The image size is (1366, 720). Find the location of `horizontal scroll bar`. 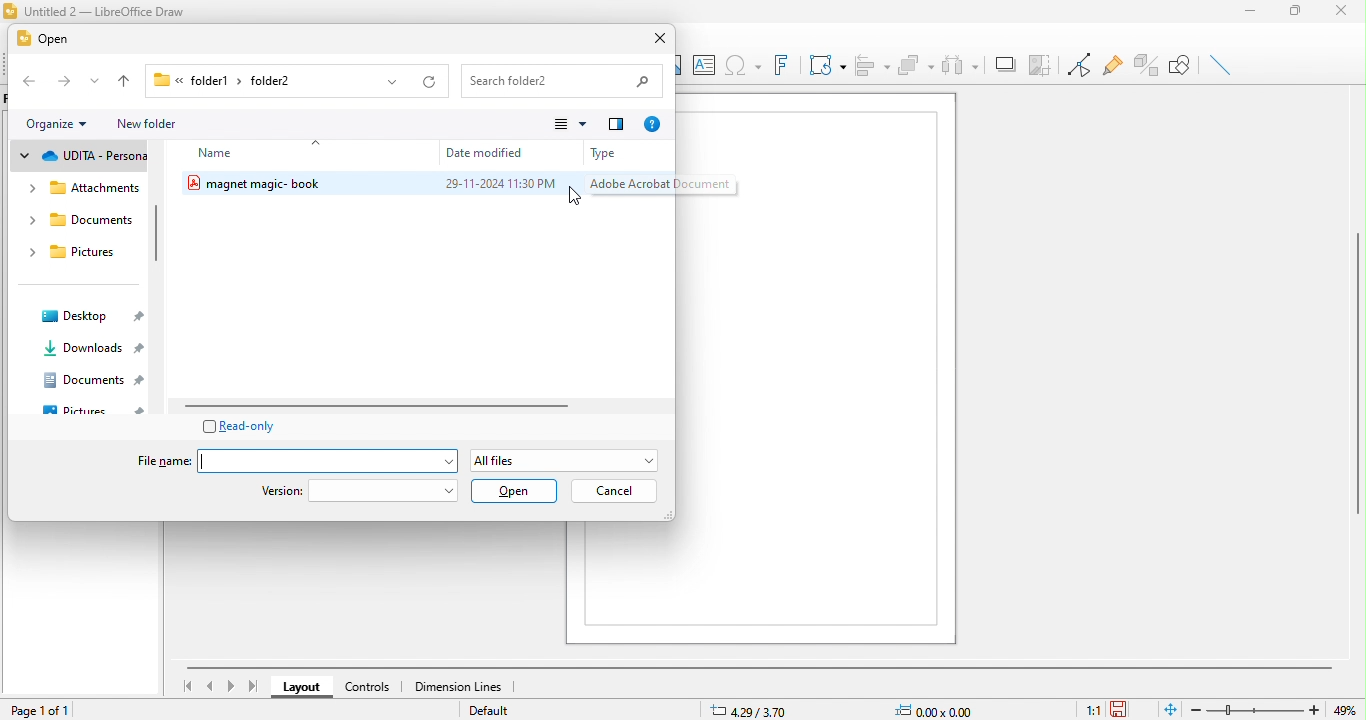

horizontal scroll bar is located at coordinates (393, 406).